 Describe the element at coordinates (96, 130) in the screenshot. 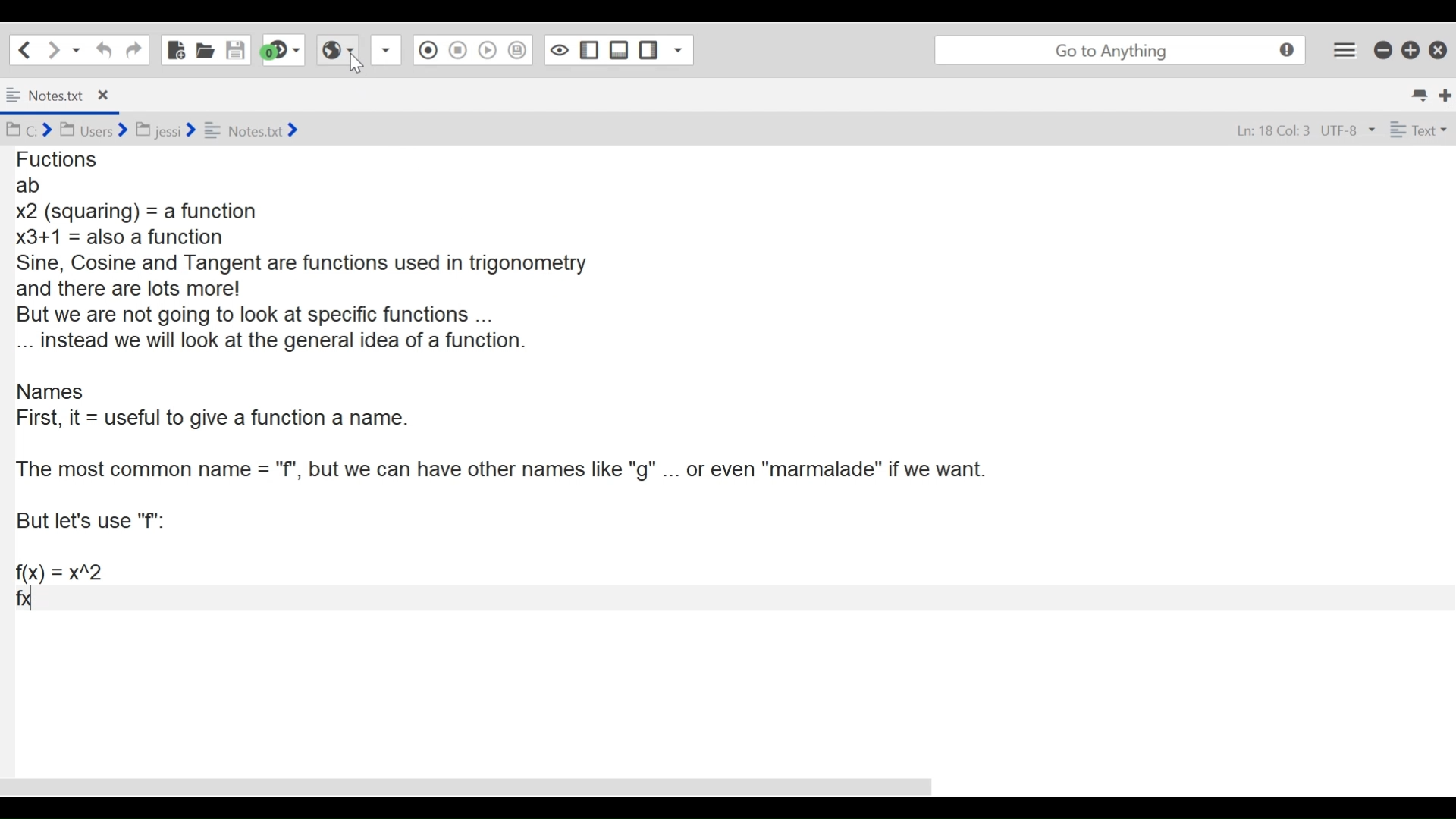

I see `Users` at that location.